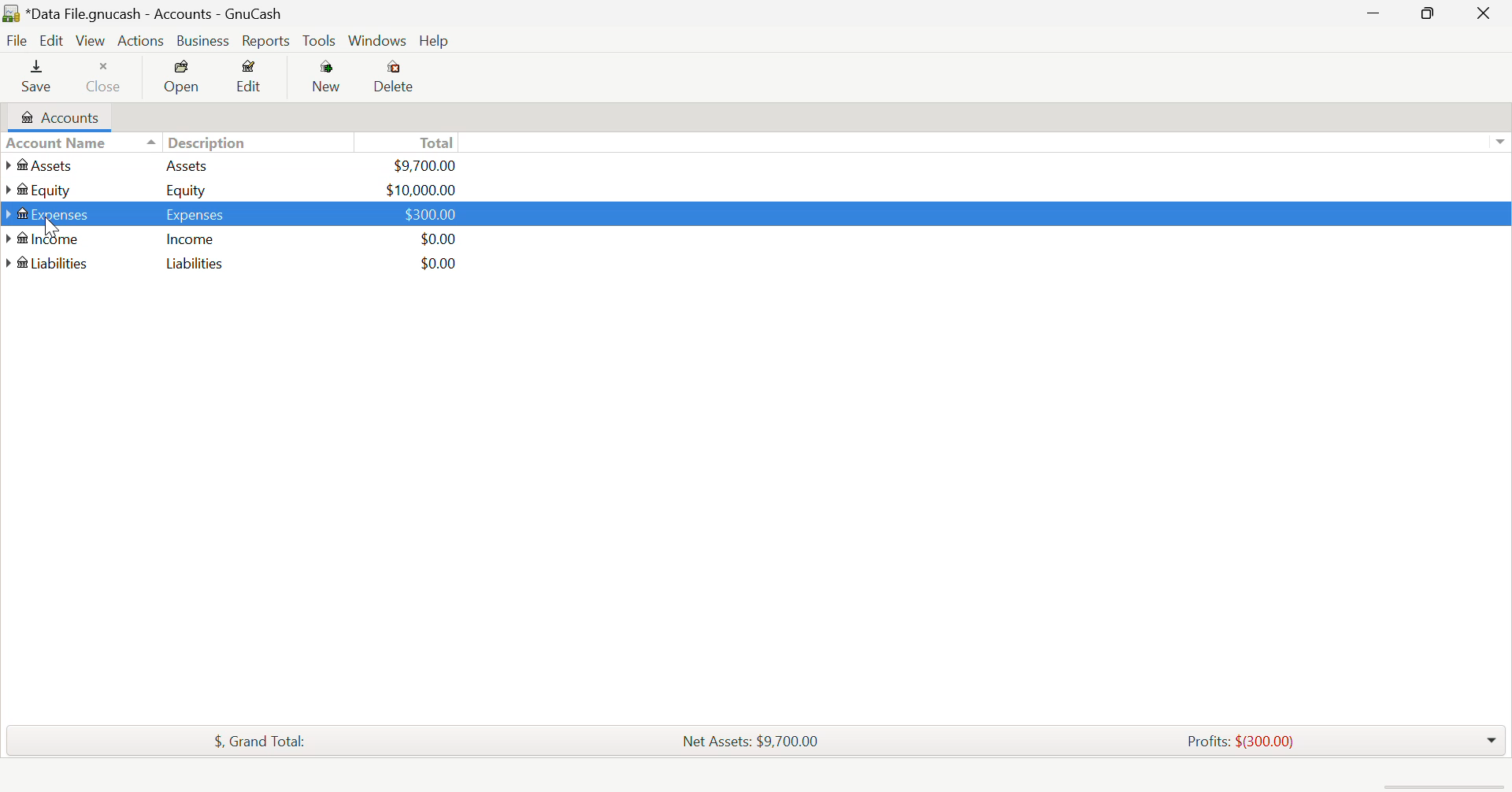 This screenshot has width=1512, height=792. Describe the element at coordinates (91, 41) in the screenshot. I see `View` at that location.